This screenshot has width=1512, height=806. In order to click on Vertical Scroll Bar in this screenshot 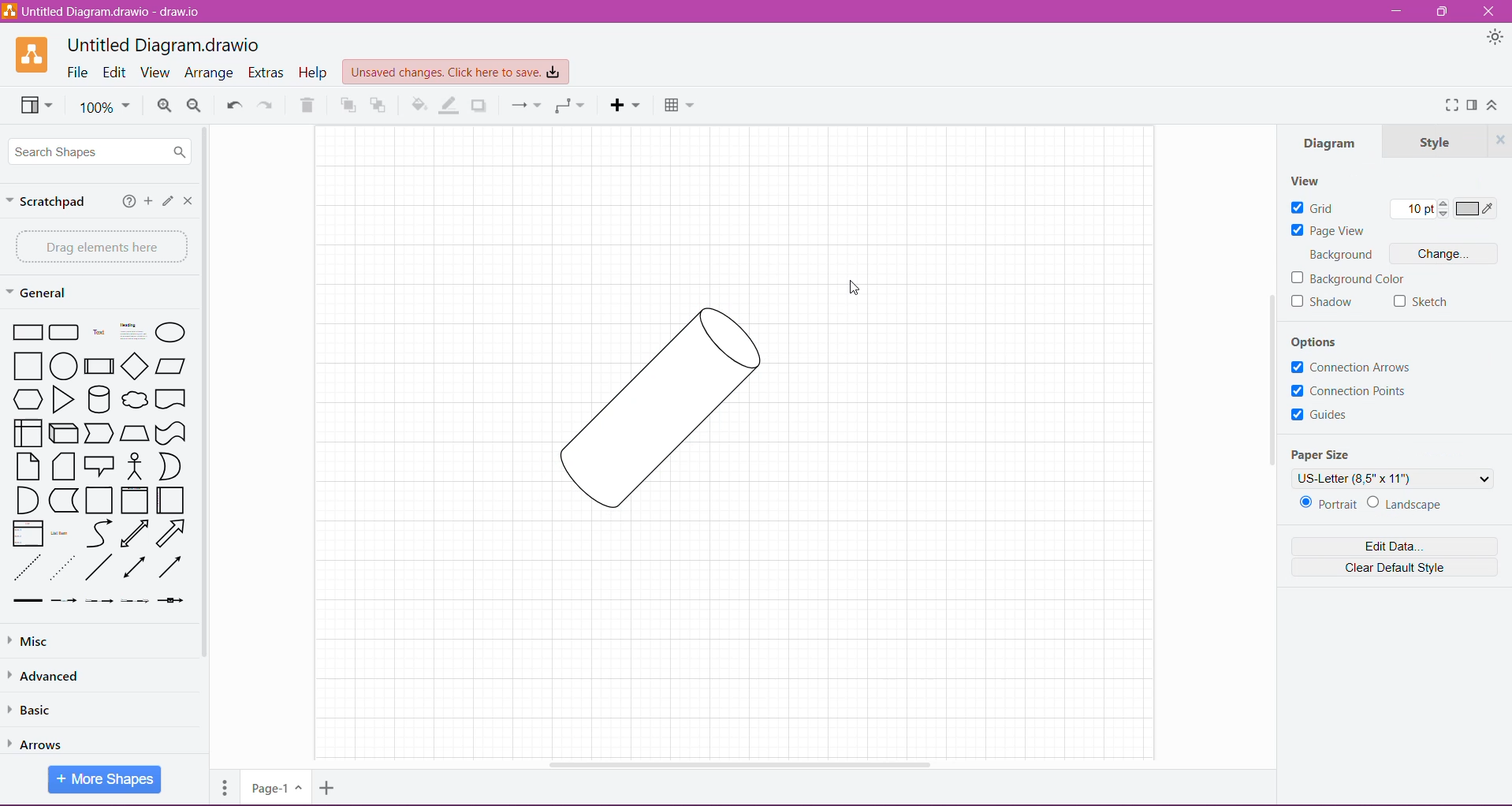, I will do `click(206, 404)`.